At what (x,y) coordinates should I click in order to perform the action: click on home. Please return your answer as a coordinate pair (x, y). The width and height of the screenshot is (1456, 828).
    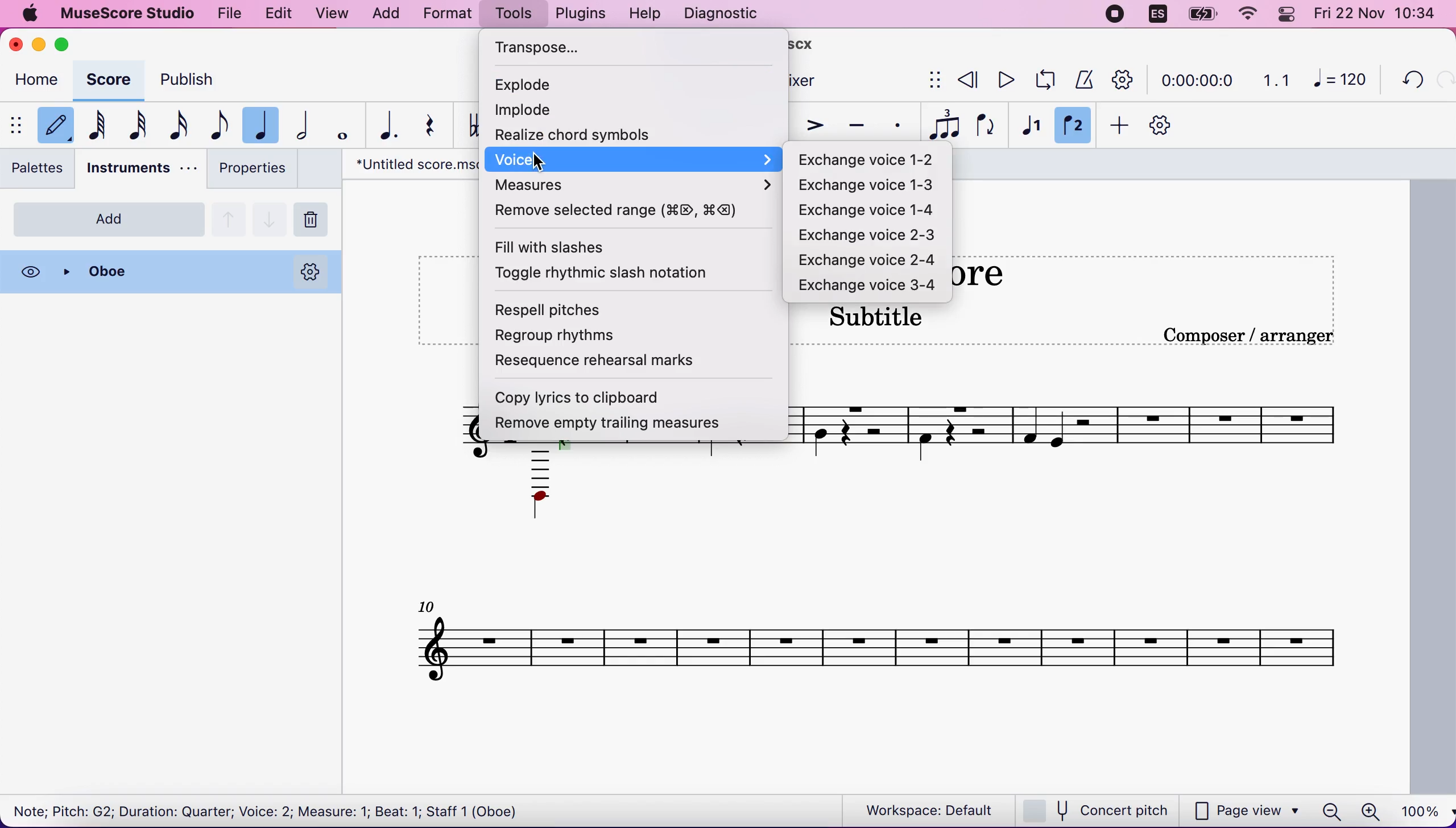
    Looking at the image, I should click on (38, 80).